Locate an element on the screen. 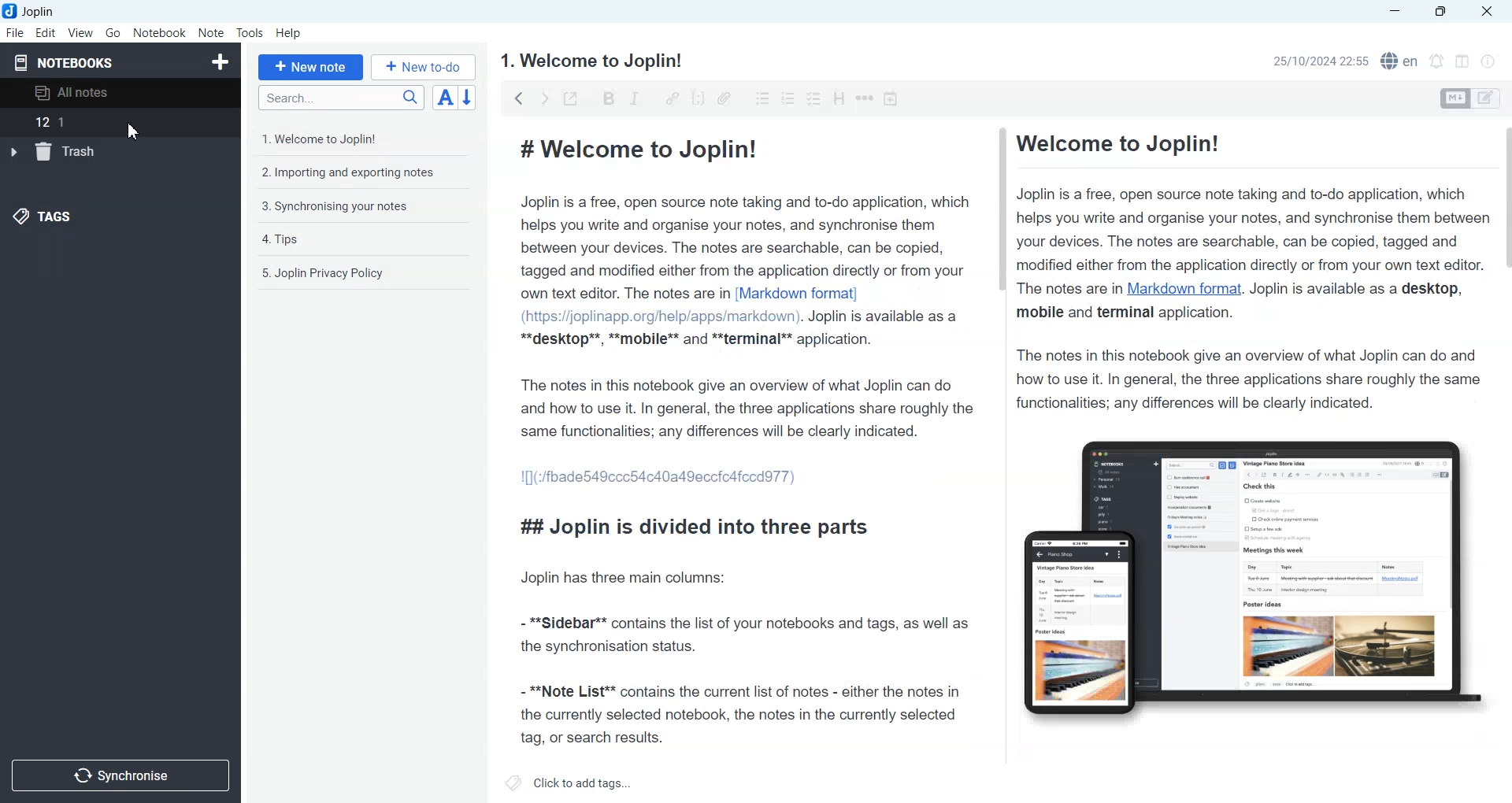  Attach file is located at coordinates (728, 96).